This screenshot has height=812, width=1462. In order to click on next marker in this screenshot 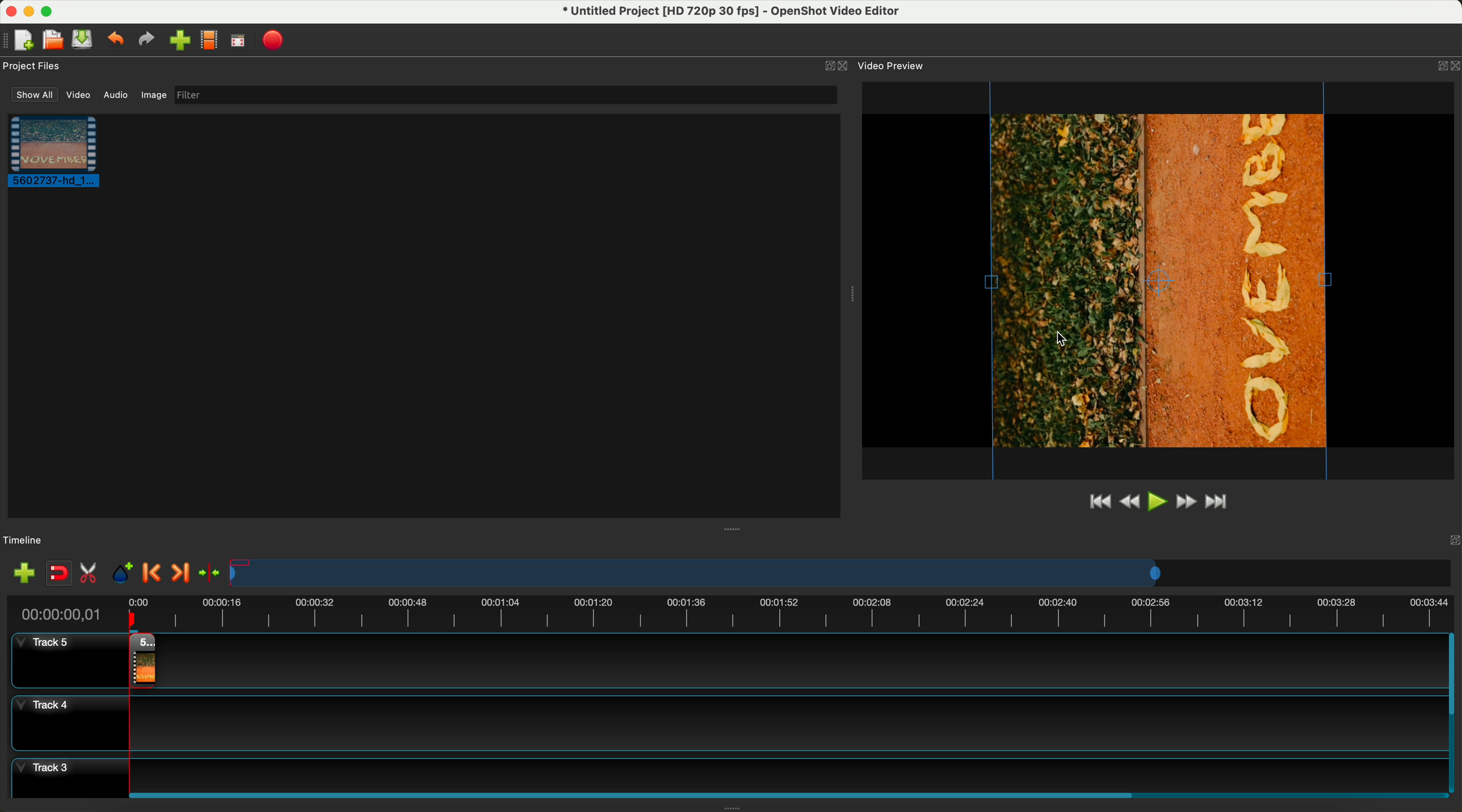, I will do `click(184, 570)`.